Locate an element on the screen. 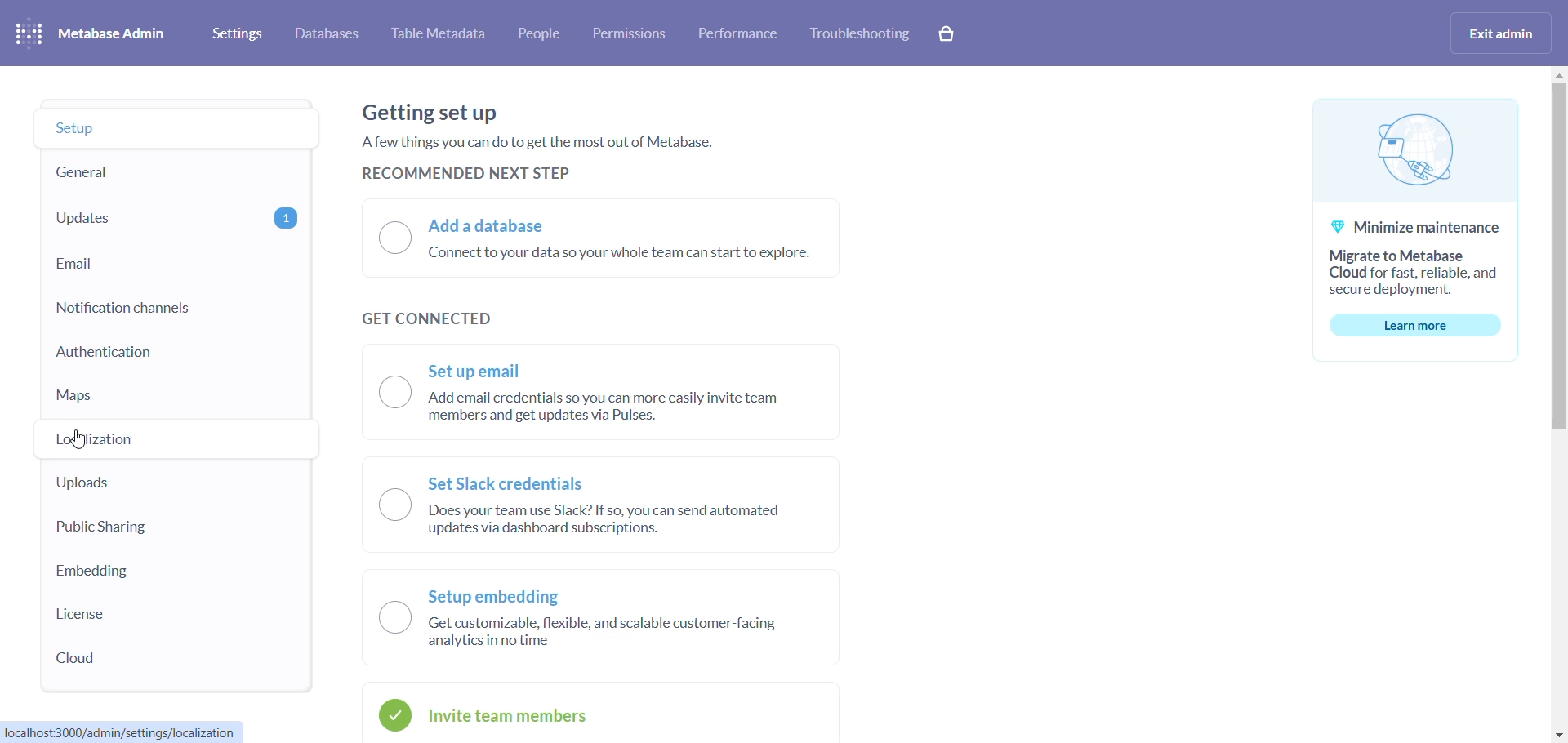 This screenshot has height=743, width=1568. metabase admin is located at coordinates (99, 30).